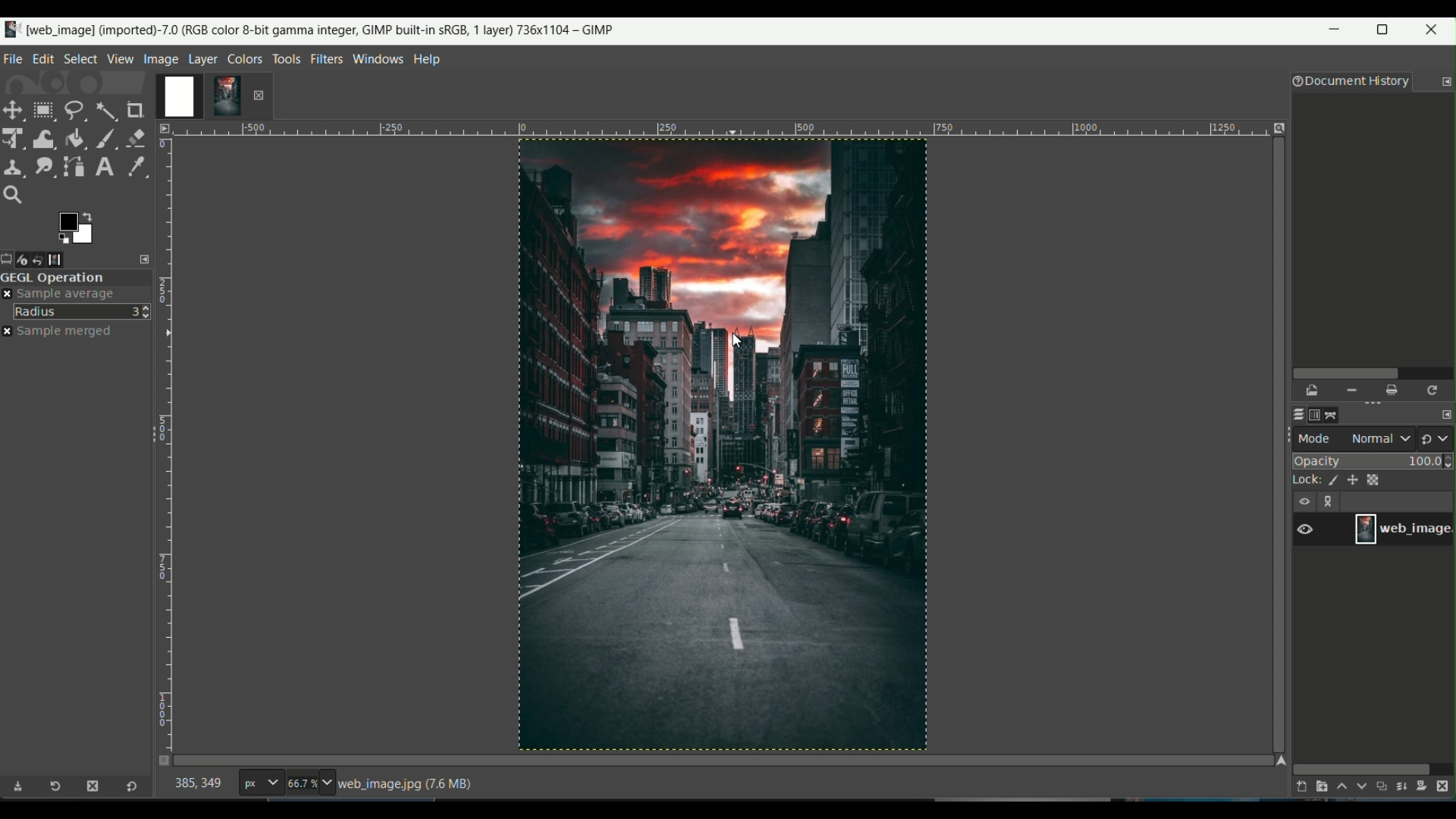 The width and height of the screenshot is (1456, 819). What do you see at coordinates (83, 311) in the screenshot?
I see `color picker average radius` at bounding box center [83, 311].